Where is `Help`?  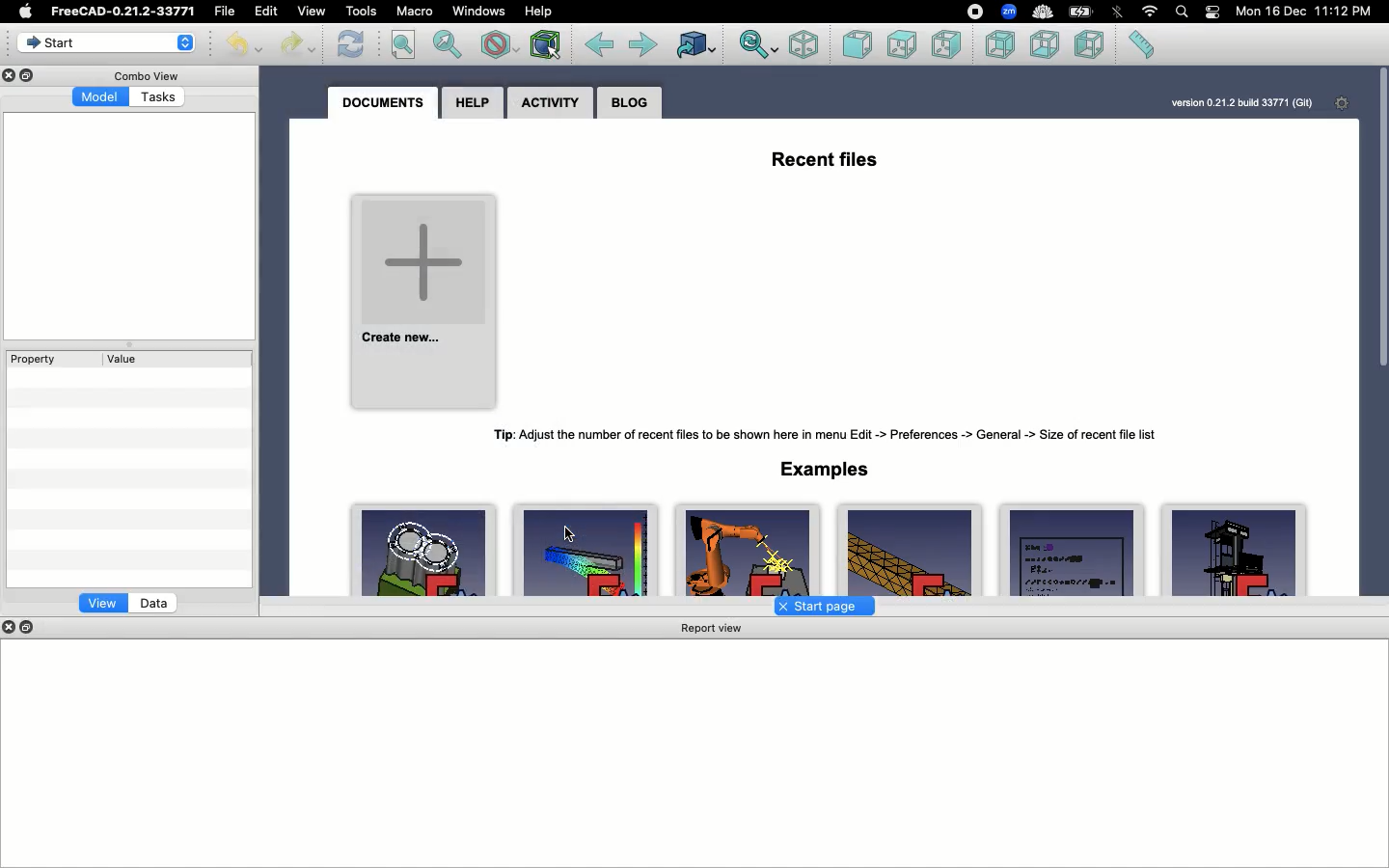
Help is located at coordinates (473, 103).